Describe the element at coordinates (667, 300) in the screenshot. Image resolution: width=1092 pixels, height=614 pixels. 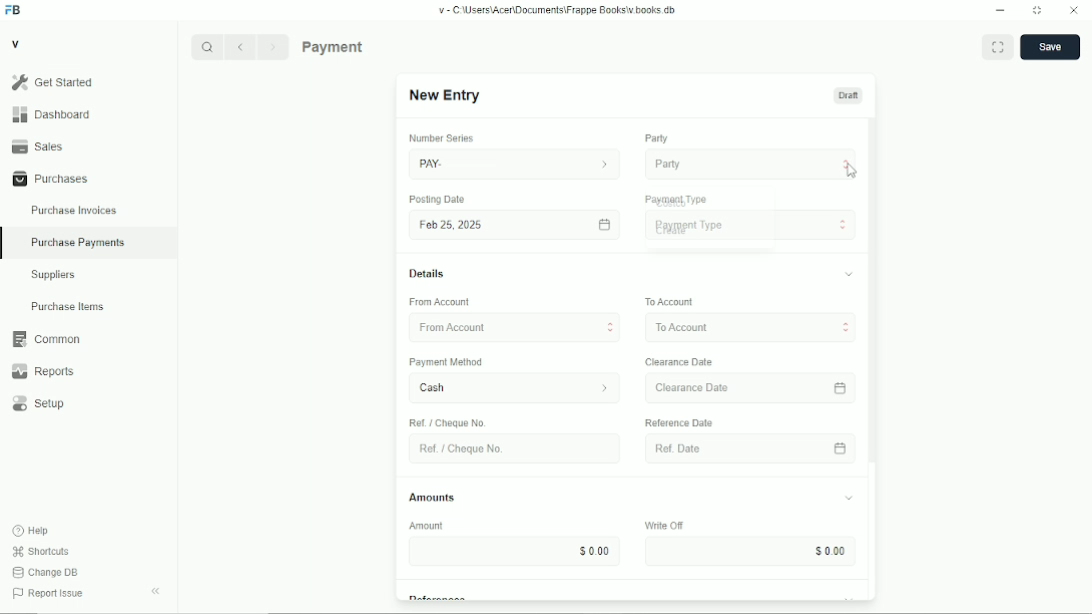
I see `To Account` at that location.